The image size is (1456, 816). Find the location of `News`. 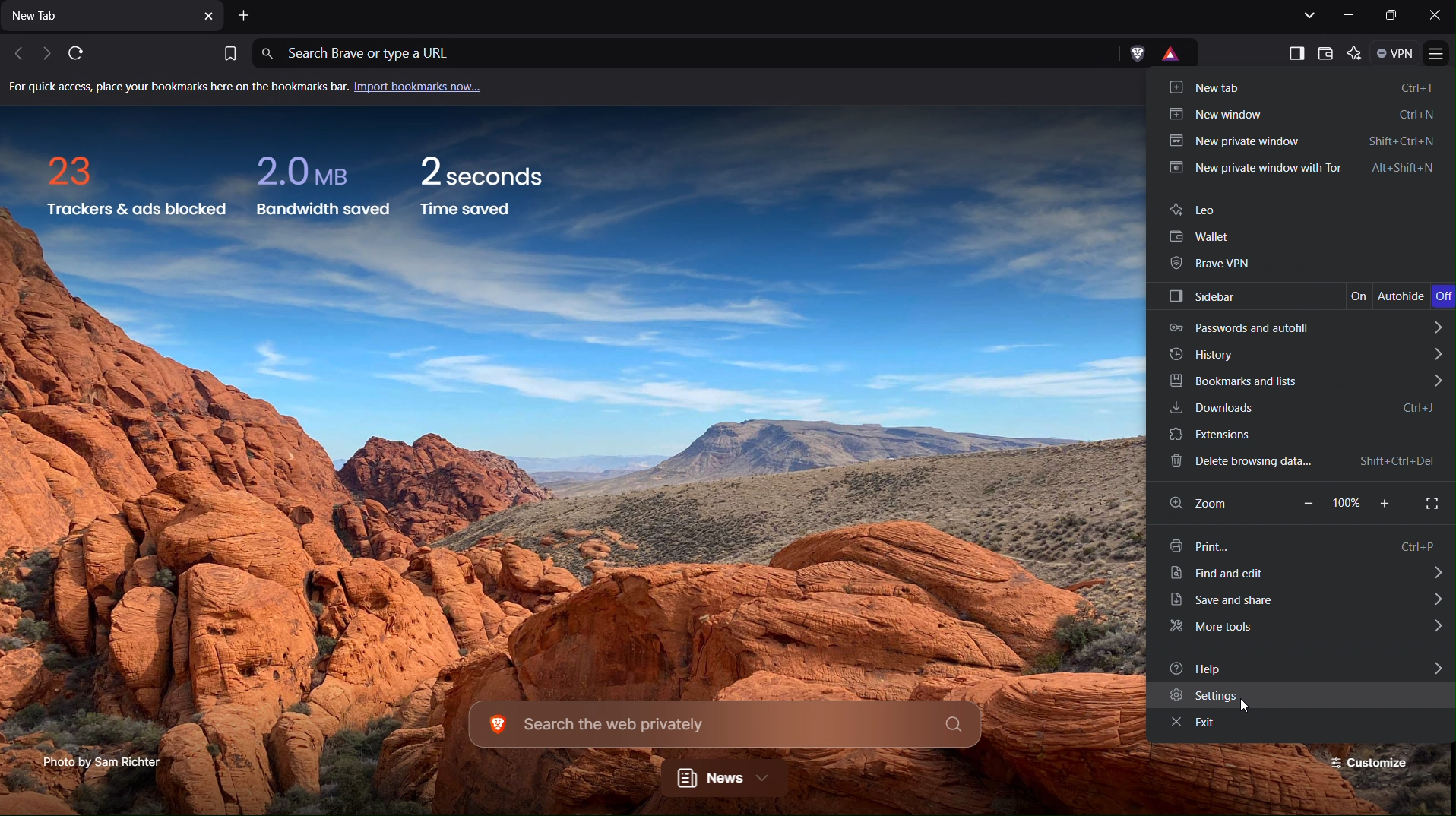

News is located at coordinates (730, 779).